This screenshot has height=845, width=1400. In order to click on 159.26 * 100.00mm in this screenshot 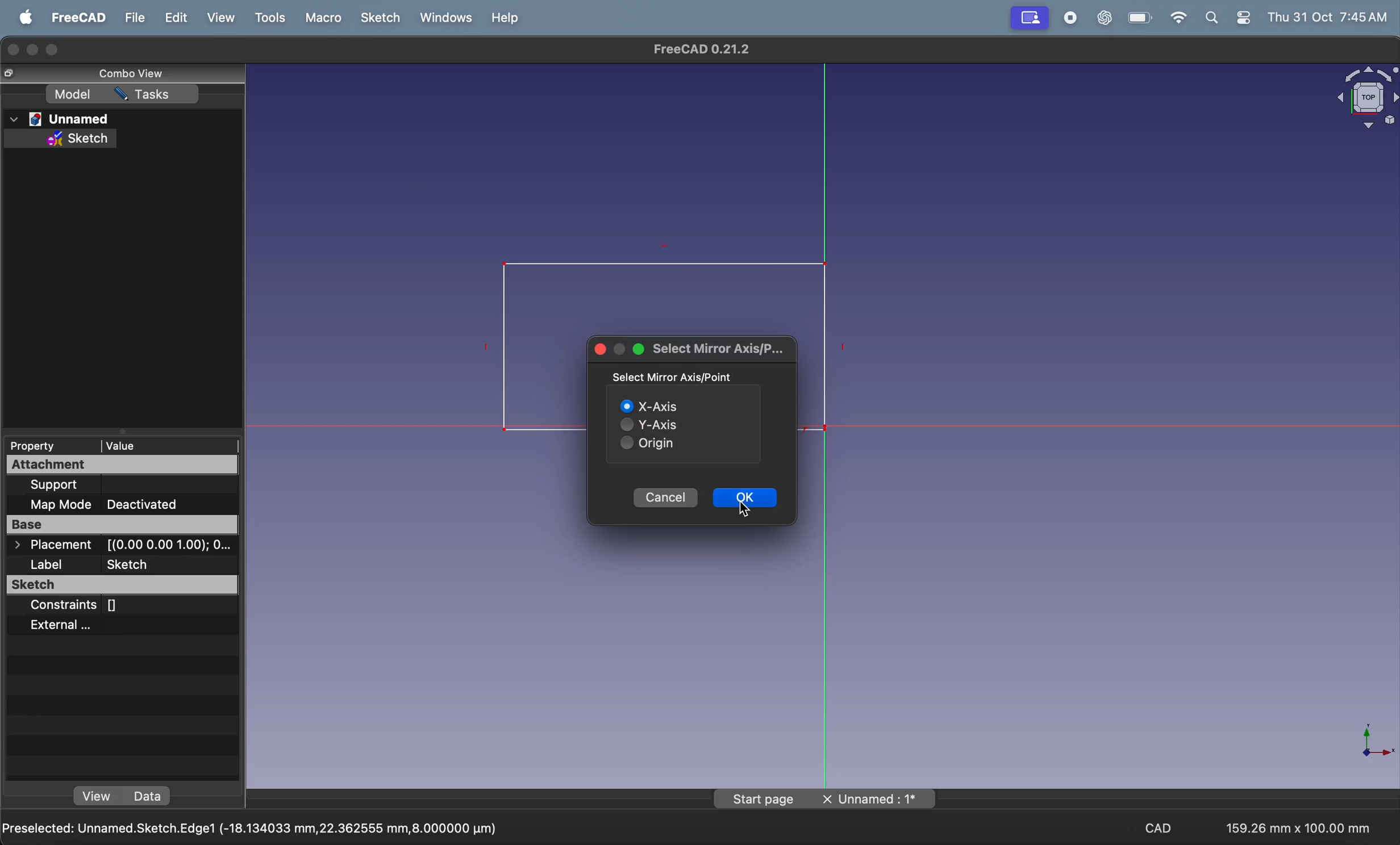, I will do `click(1301, 826)`.